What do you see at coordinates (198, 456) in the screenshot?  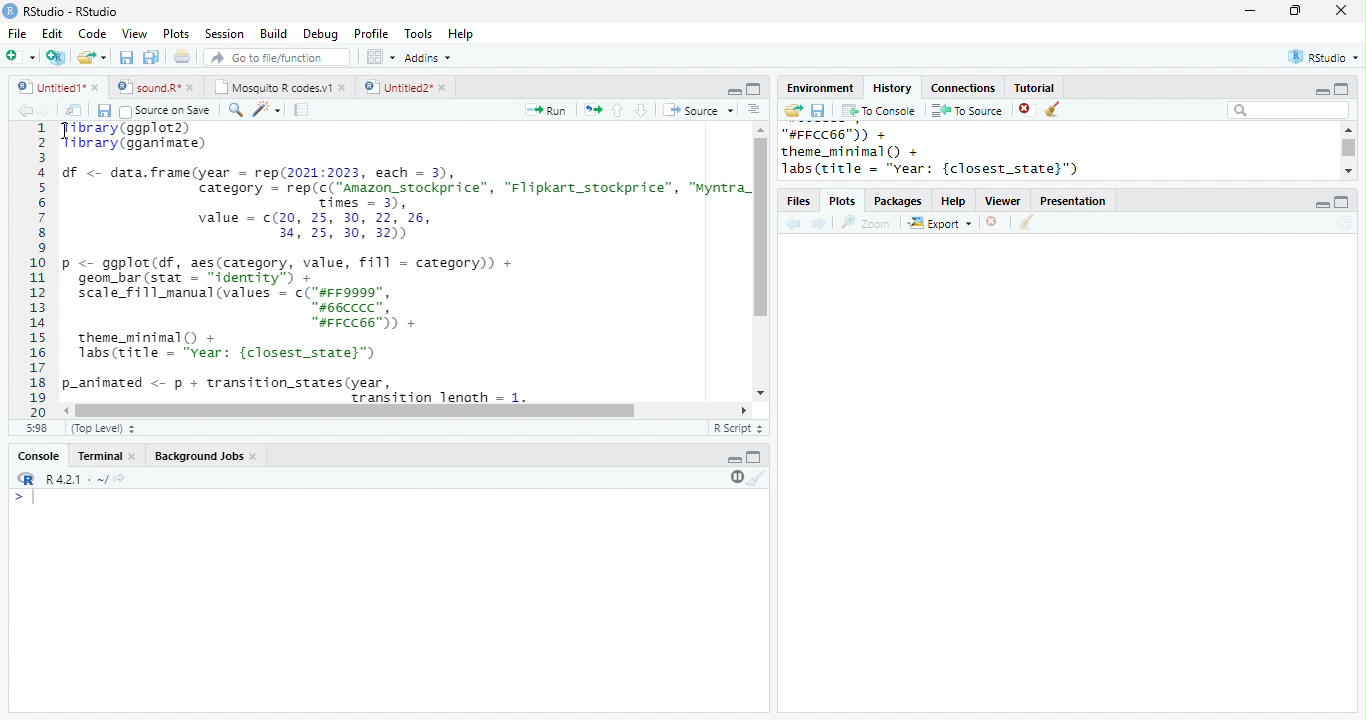 I see `Background Jobs` at bounding box center [198, 456].